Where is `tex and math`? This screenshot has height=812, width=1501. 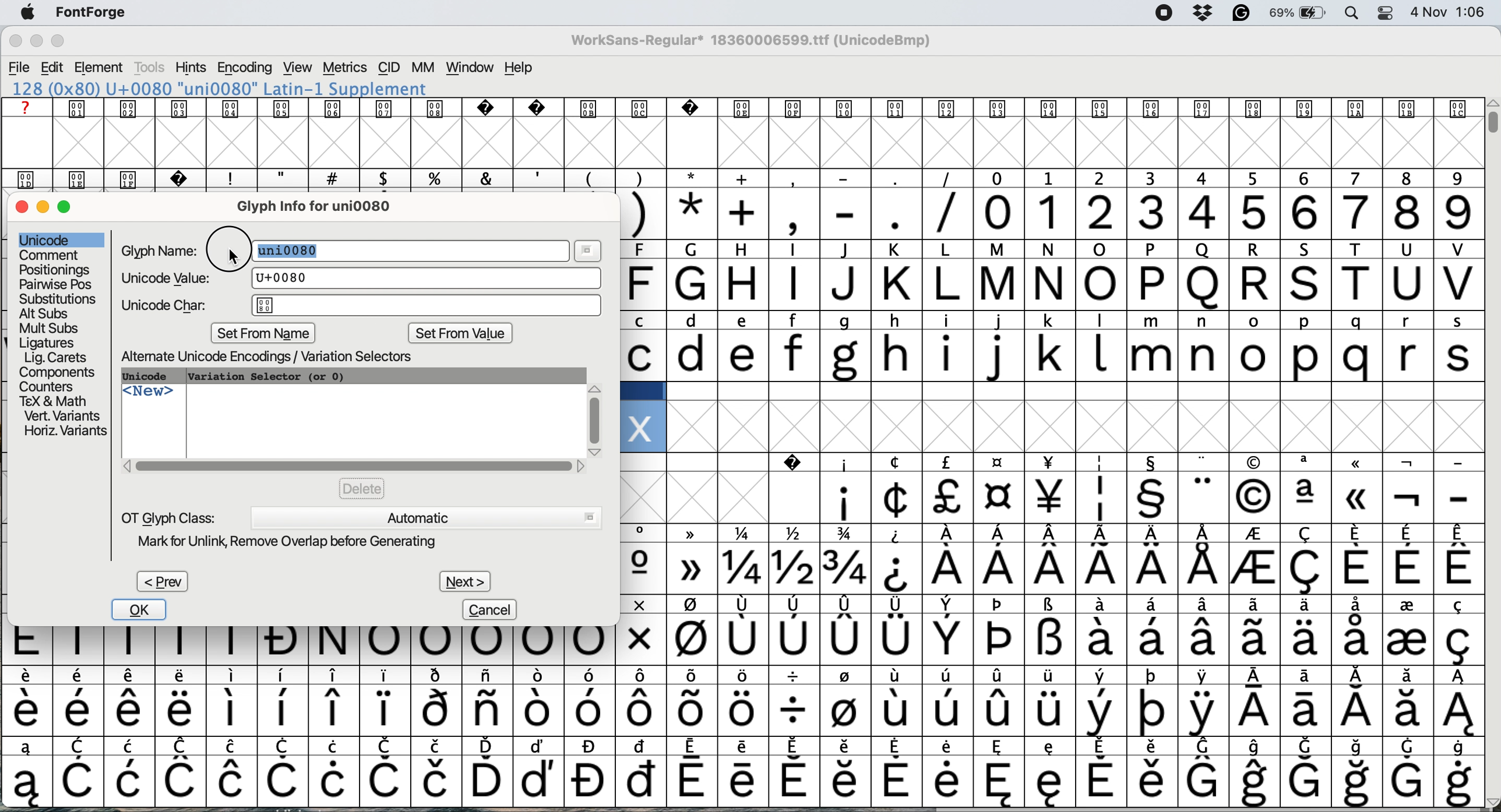
tex and math is located at coordinates (52, 400).